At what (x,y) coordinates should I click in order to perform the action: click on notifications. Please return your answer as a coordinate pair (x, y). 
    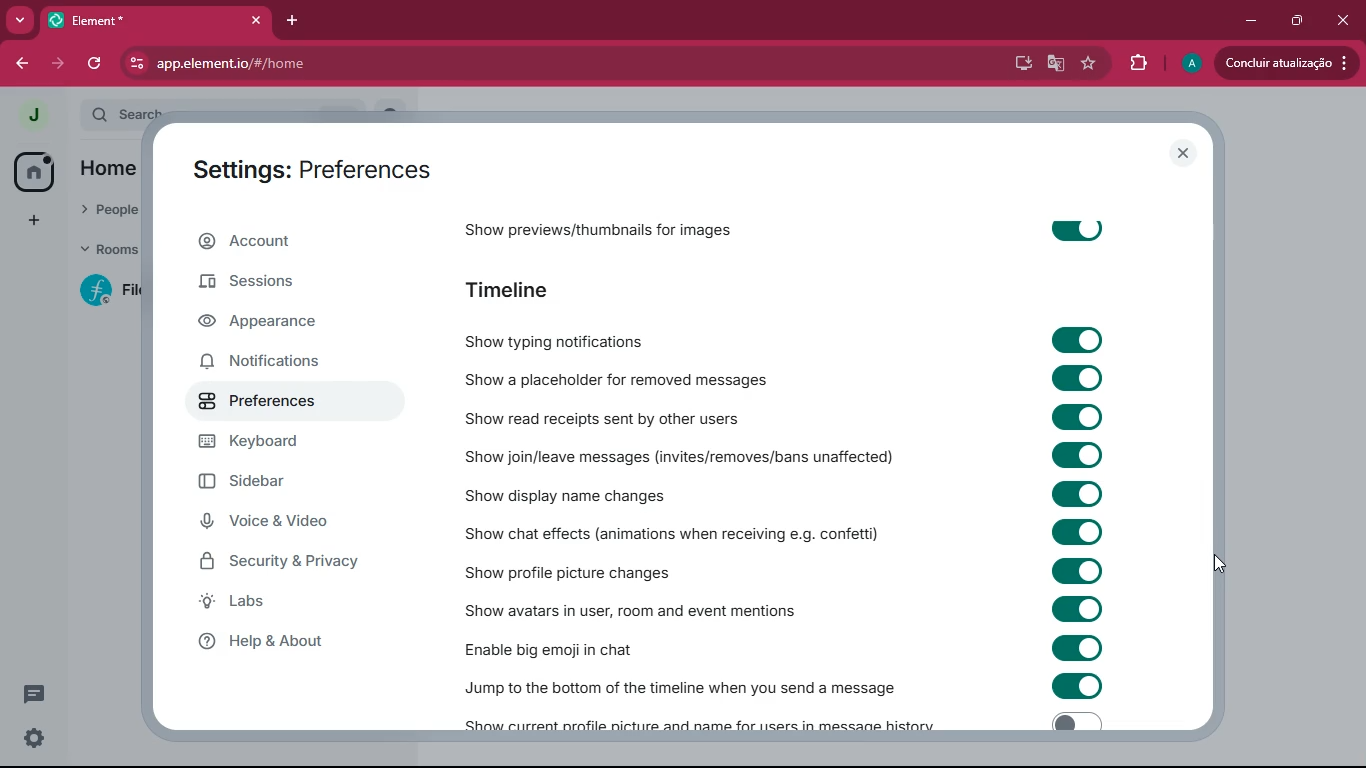
    Looking at the image, I should click on (282, 362).